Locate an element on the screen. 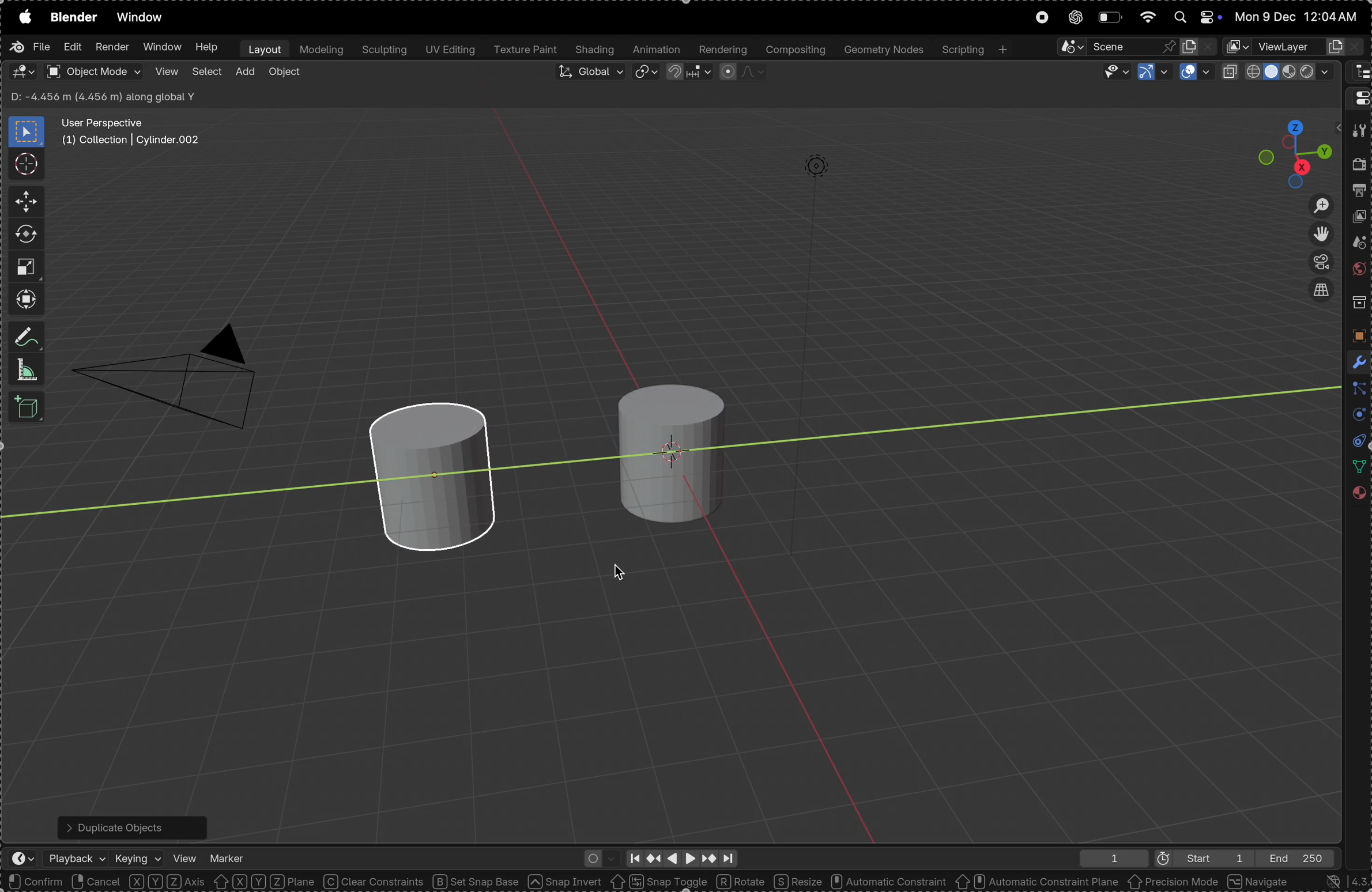 The image size is (1372, 892). composting is located at coordinates (794, 50).